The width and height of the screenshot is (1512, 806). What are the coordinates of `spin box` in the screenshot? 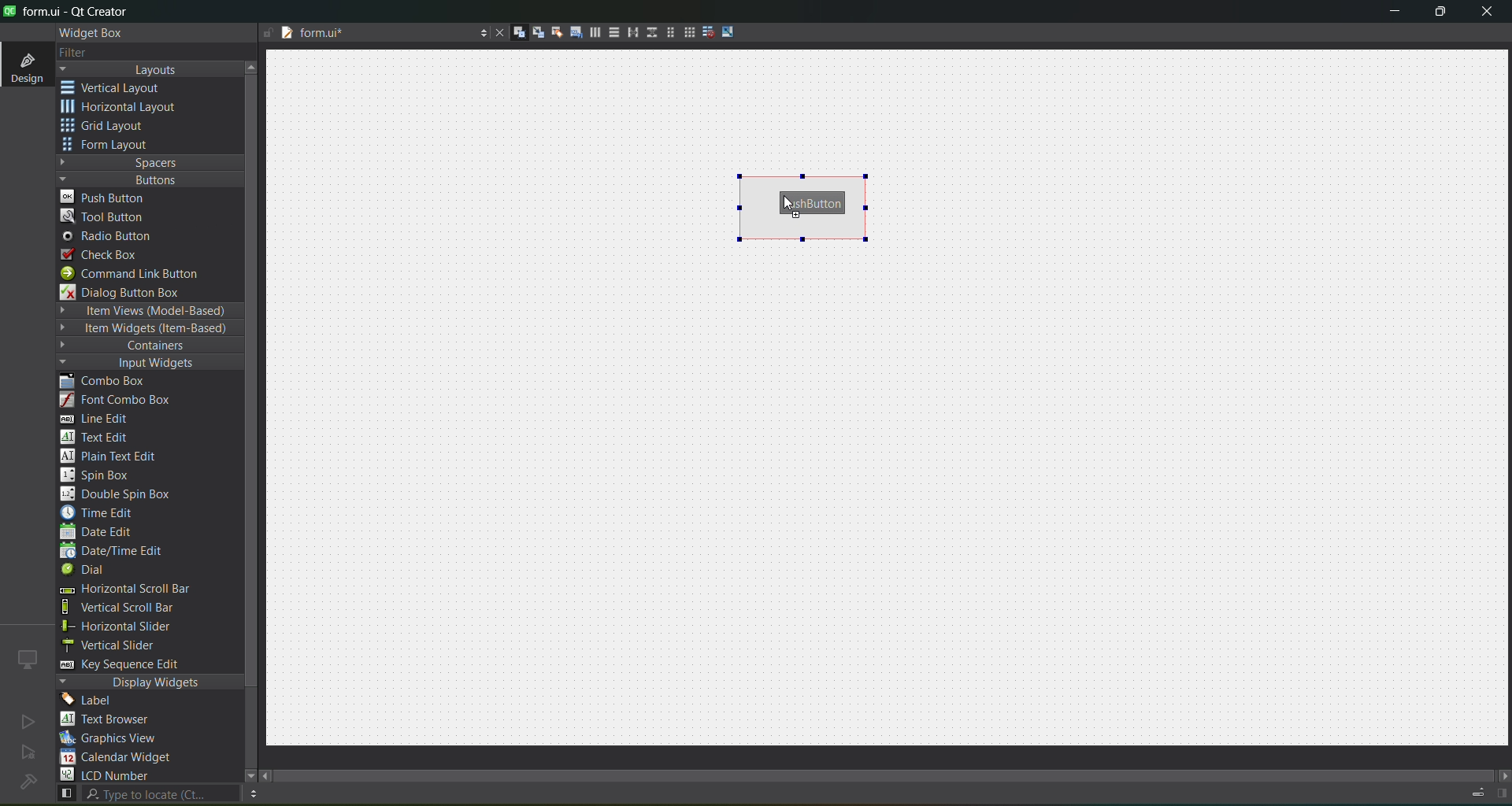 It's located at (103, 475).